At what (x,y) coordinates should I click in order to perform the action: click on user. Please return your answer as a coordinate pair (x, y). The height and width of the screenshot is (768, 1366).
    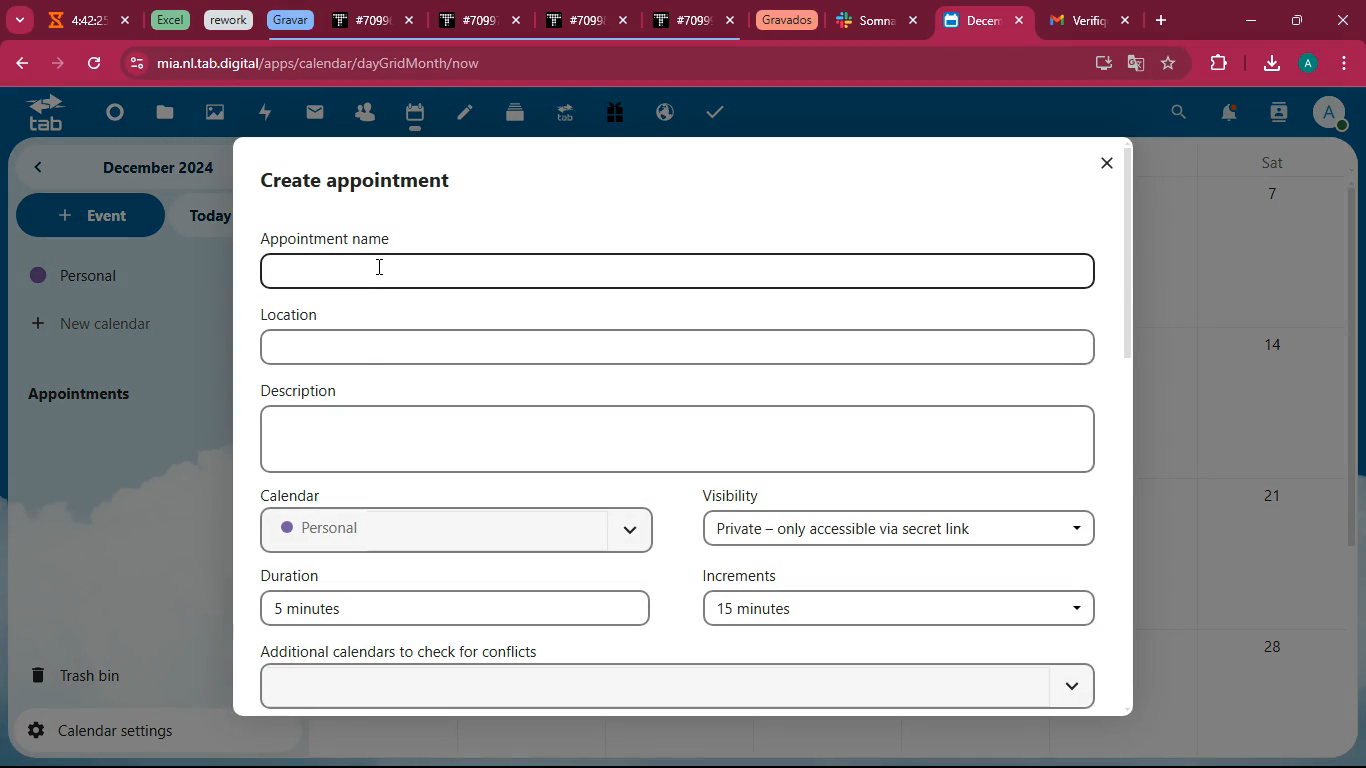
    Looking at the image, I should click on (1278, 115).